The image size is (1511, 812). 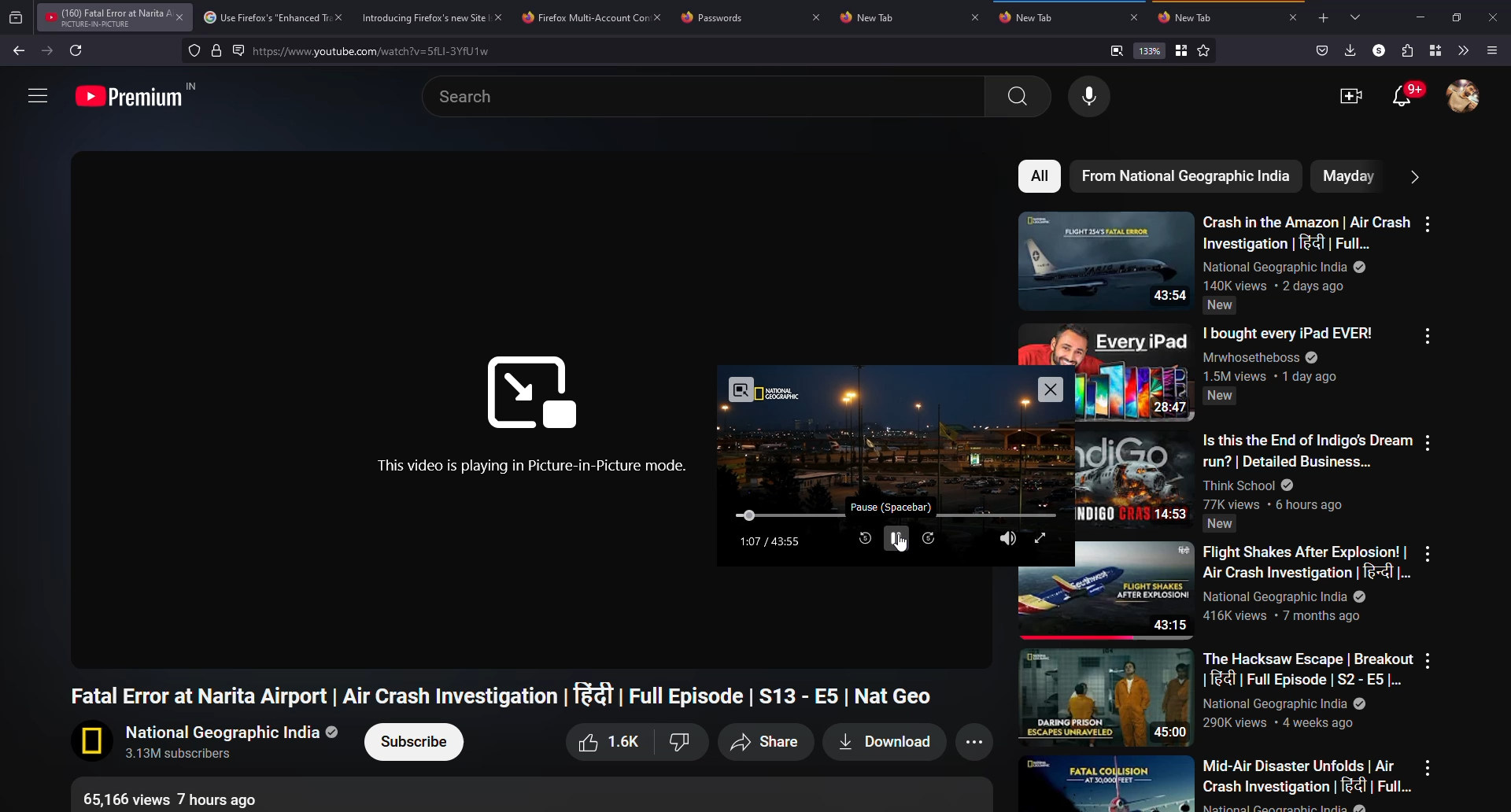 I want to click on tracking, so click(x=194, y=50).